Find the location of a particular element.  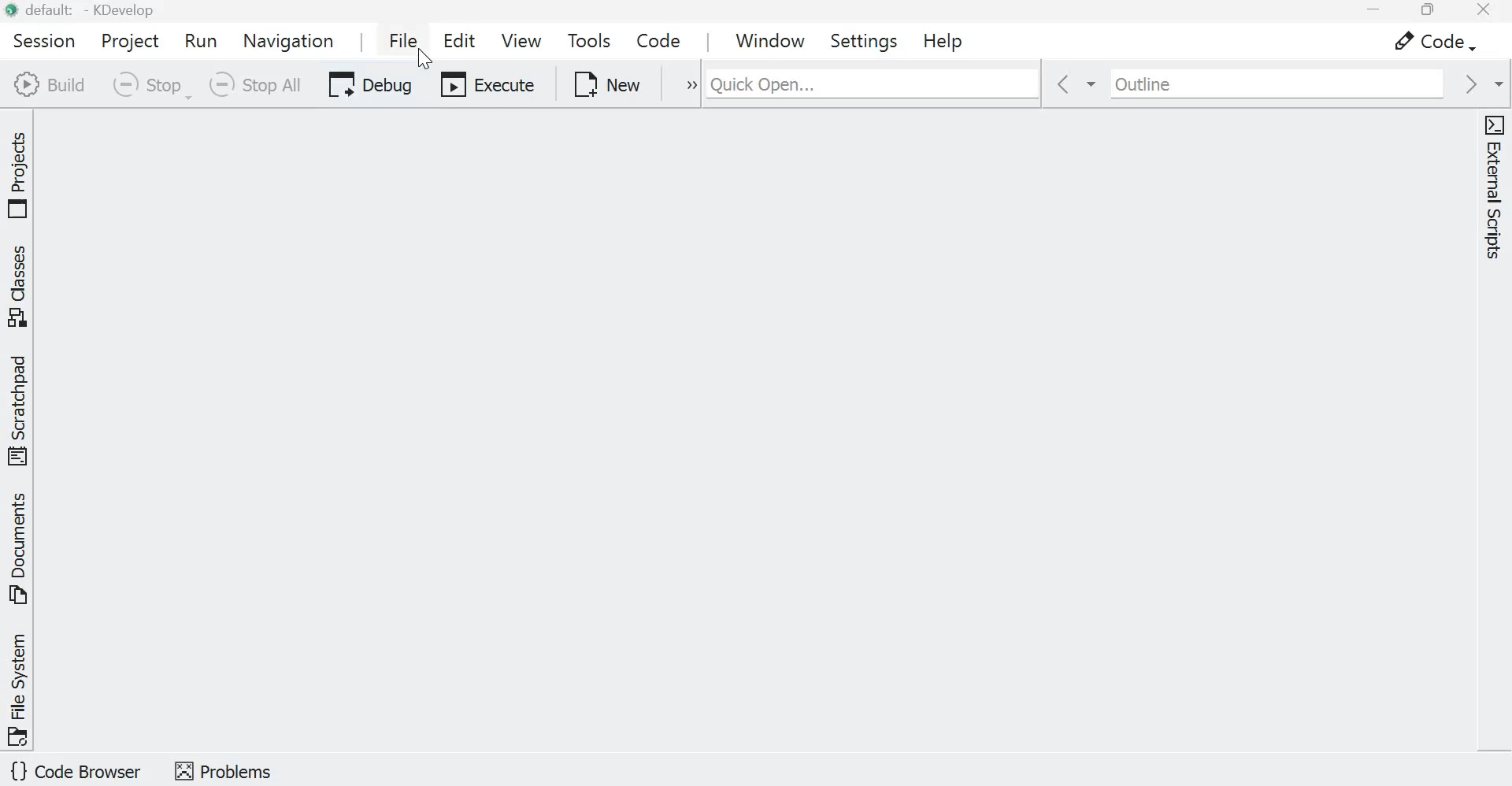

File is located at coordinates (399, 39).